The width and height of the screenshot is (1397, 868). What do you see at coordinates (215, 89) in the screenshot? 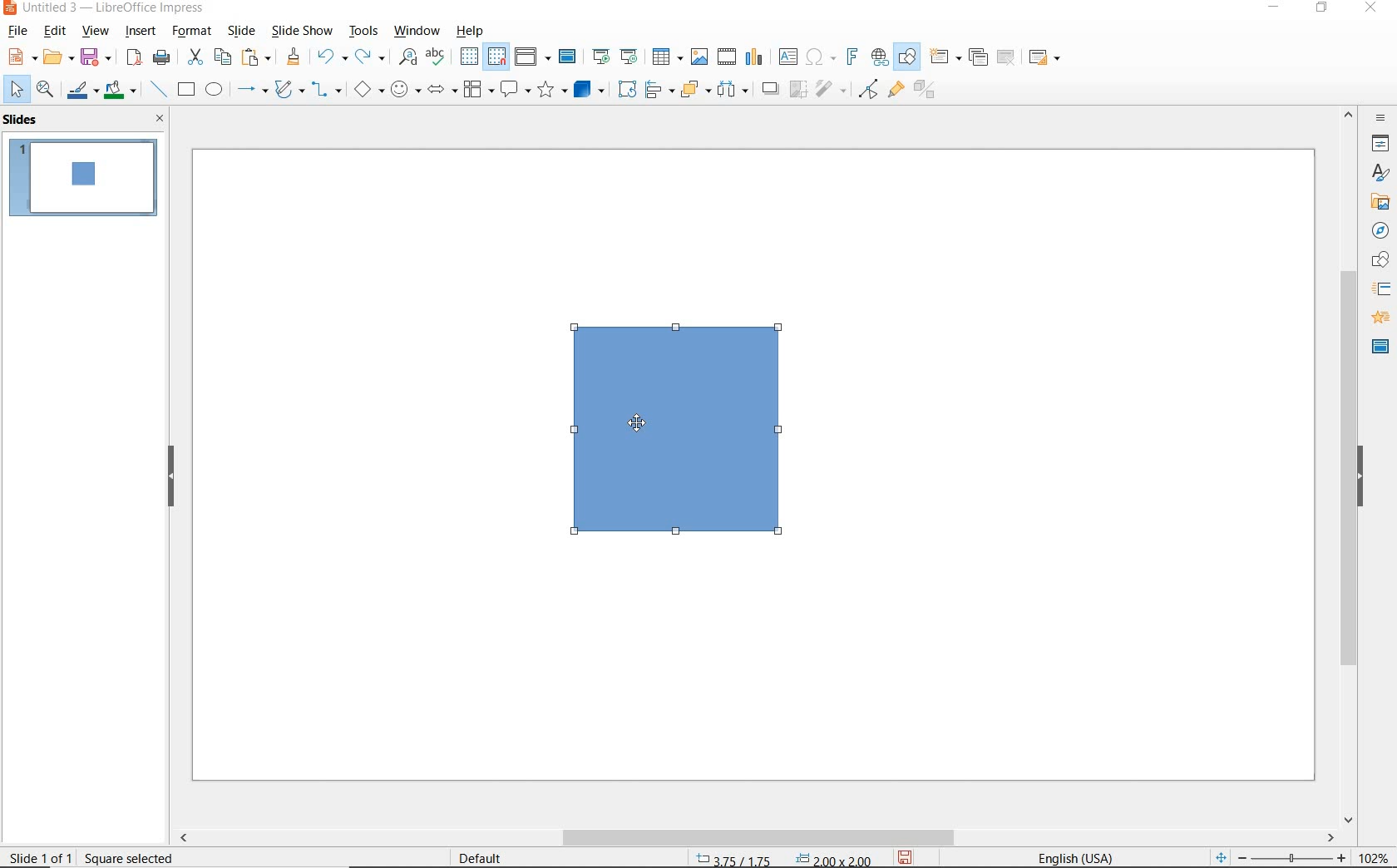
I see `ellipse` at bounding box center [215, 89].